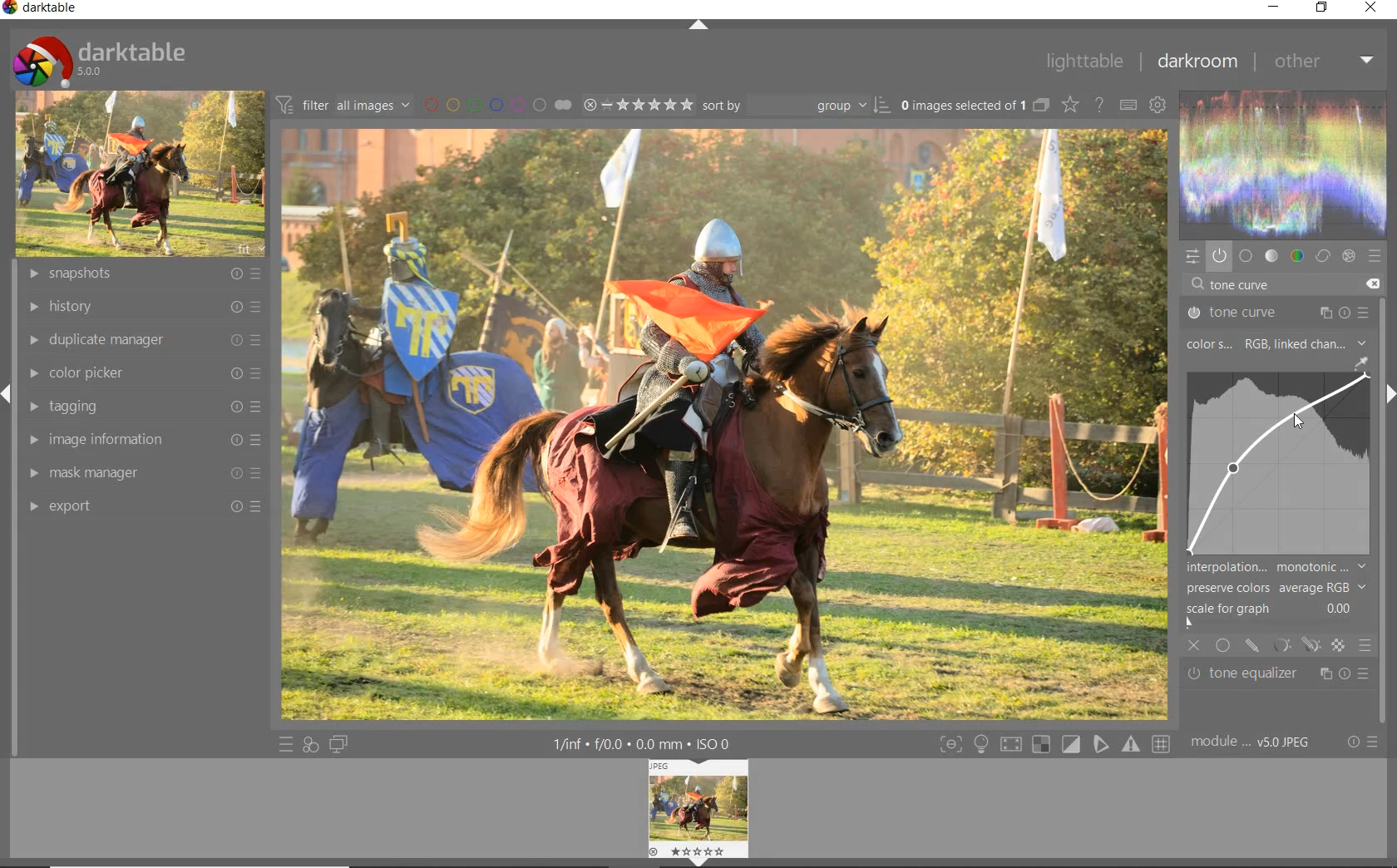 This screenshot has width=1397, height=868. I want to click on base, so click(1246, 257).